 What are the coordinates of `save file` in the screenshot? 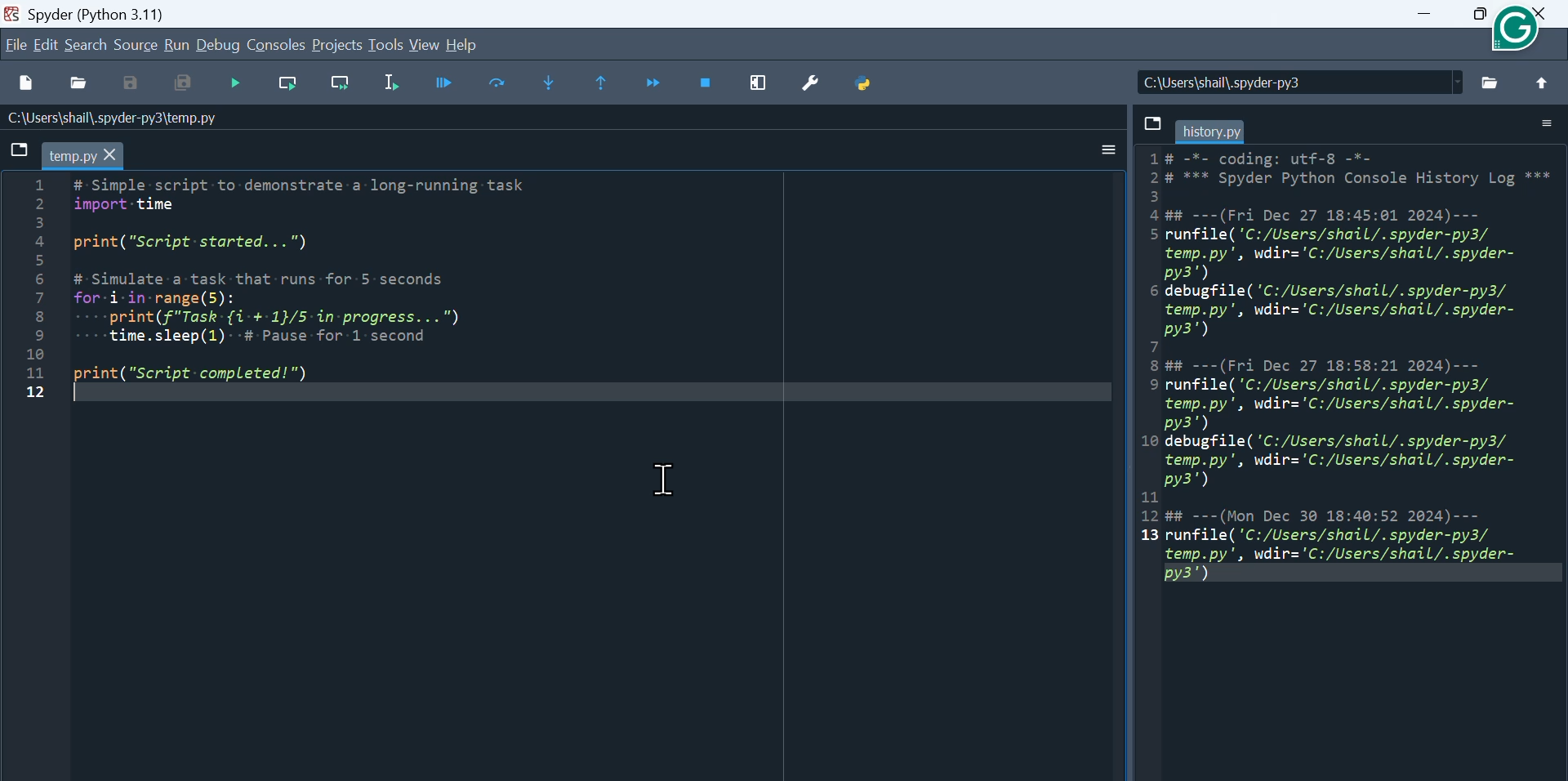 It's located at (16, 149).